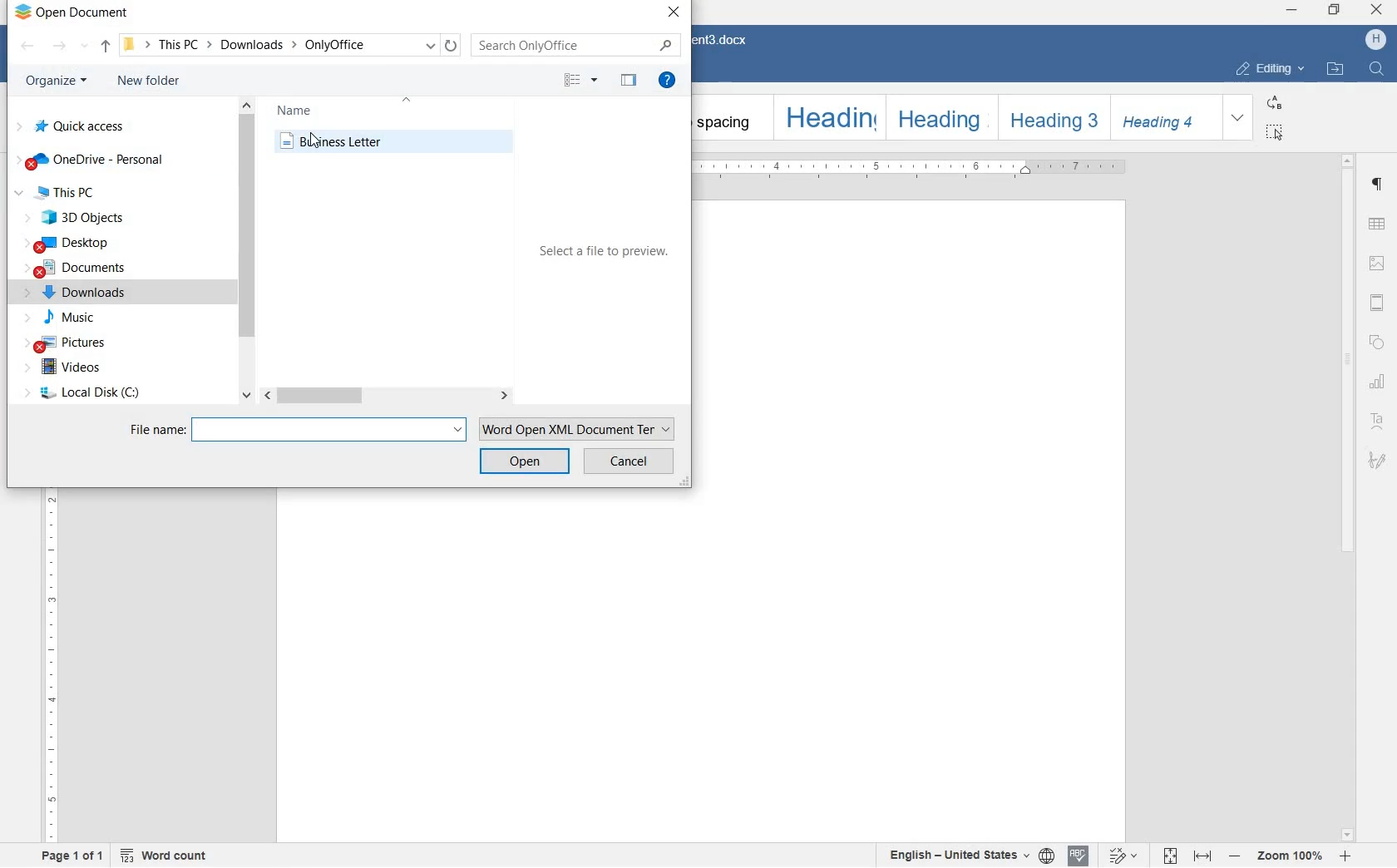 Image resolution: width=1397 pixels, height=868 pixels. What do you see at coordinates (1163, 116) in the screenshot?
I see `heading 4` at bounding box center [1163, 116].